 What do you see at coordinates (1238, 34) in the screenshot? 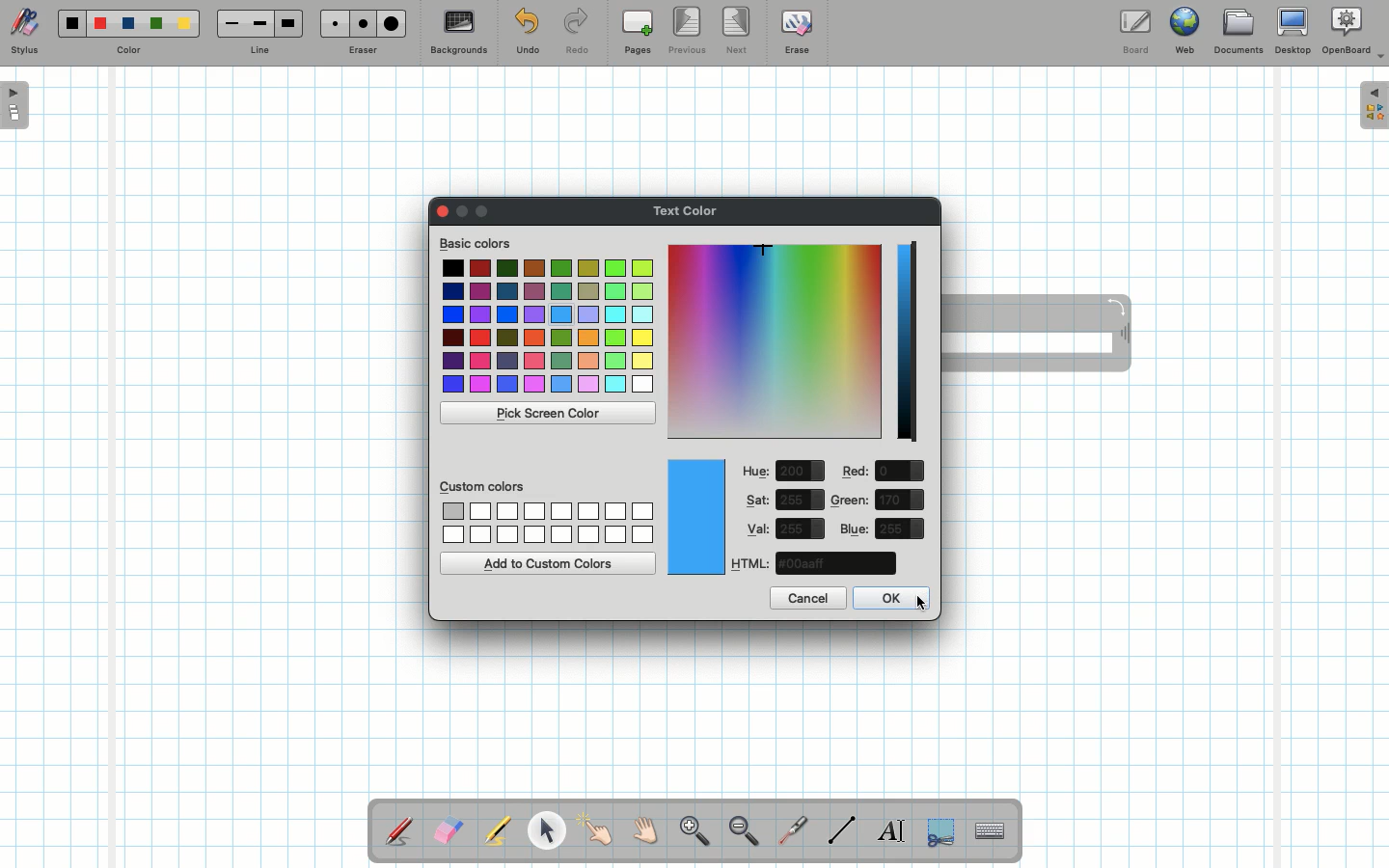
I see `Documents` at bounding box center [1238, 34].